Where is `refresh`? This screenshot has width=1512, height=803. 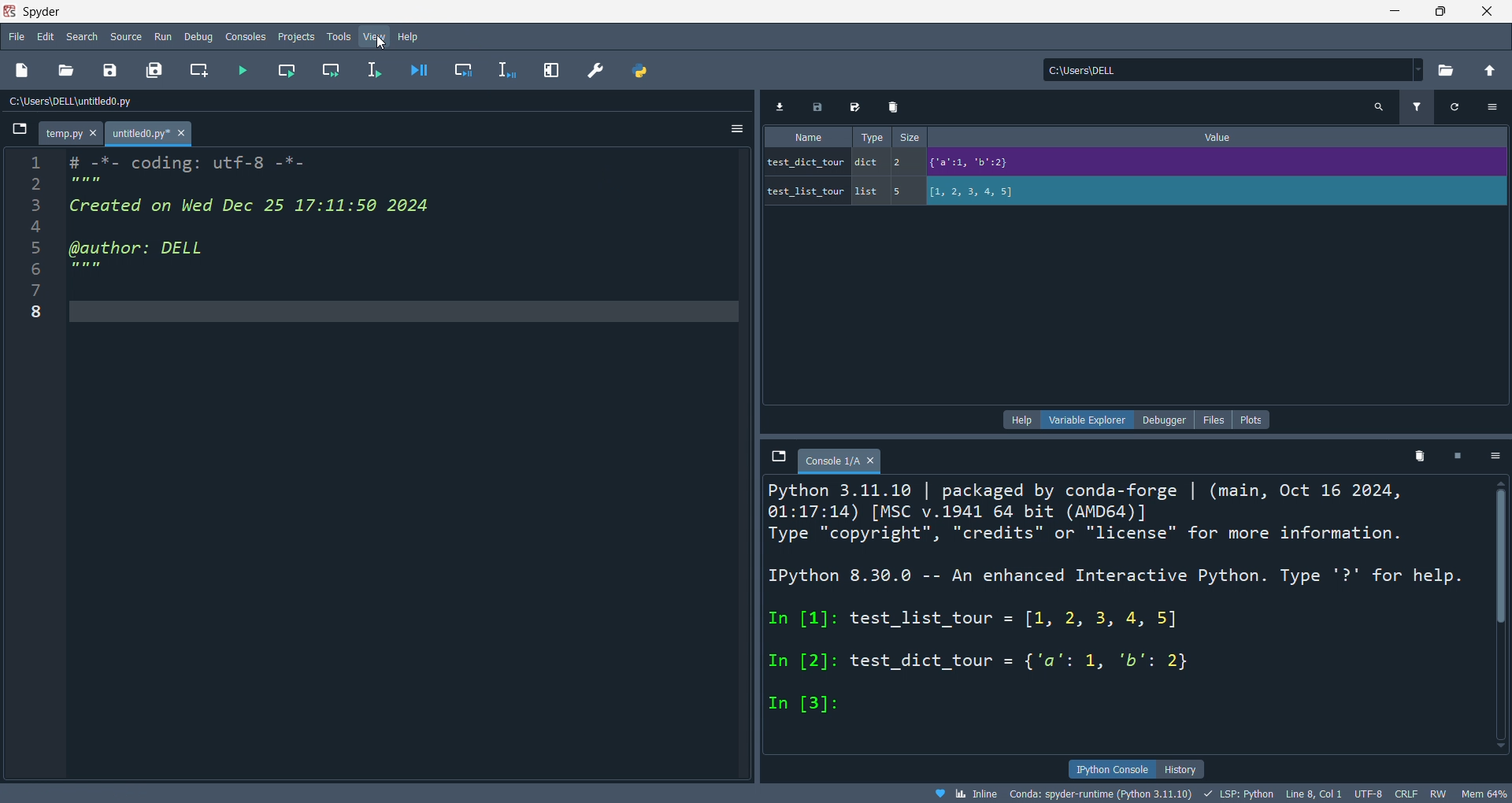
refresh is located at coordinates (1451, 107).